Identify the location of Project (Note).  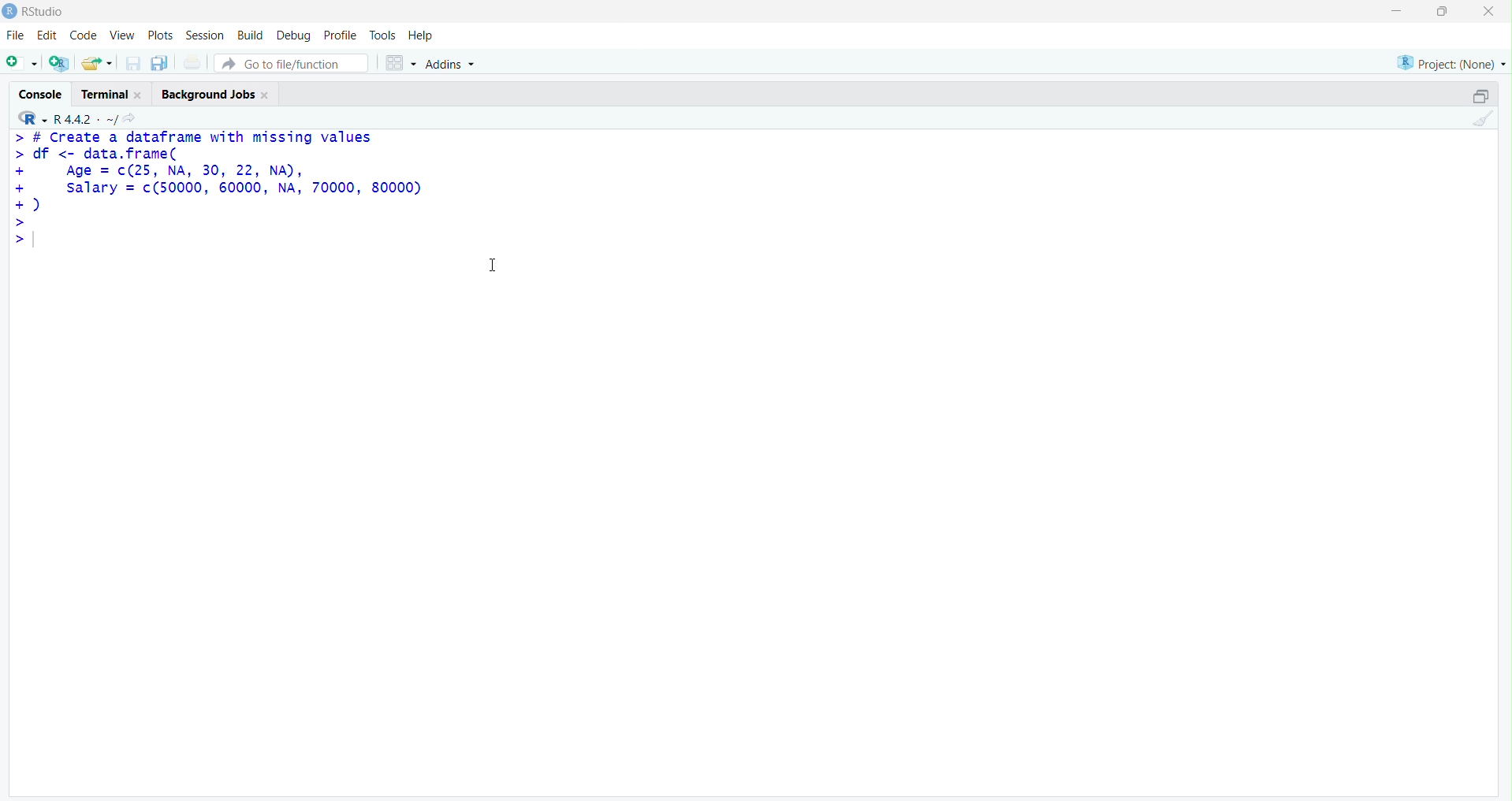
(1451, 64).